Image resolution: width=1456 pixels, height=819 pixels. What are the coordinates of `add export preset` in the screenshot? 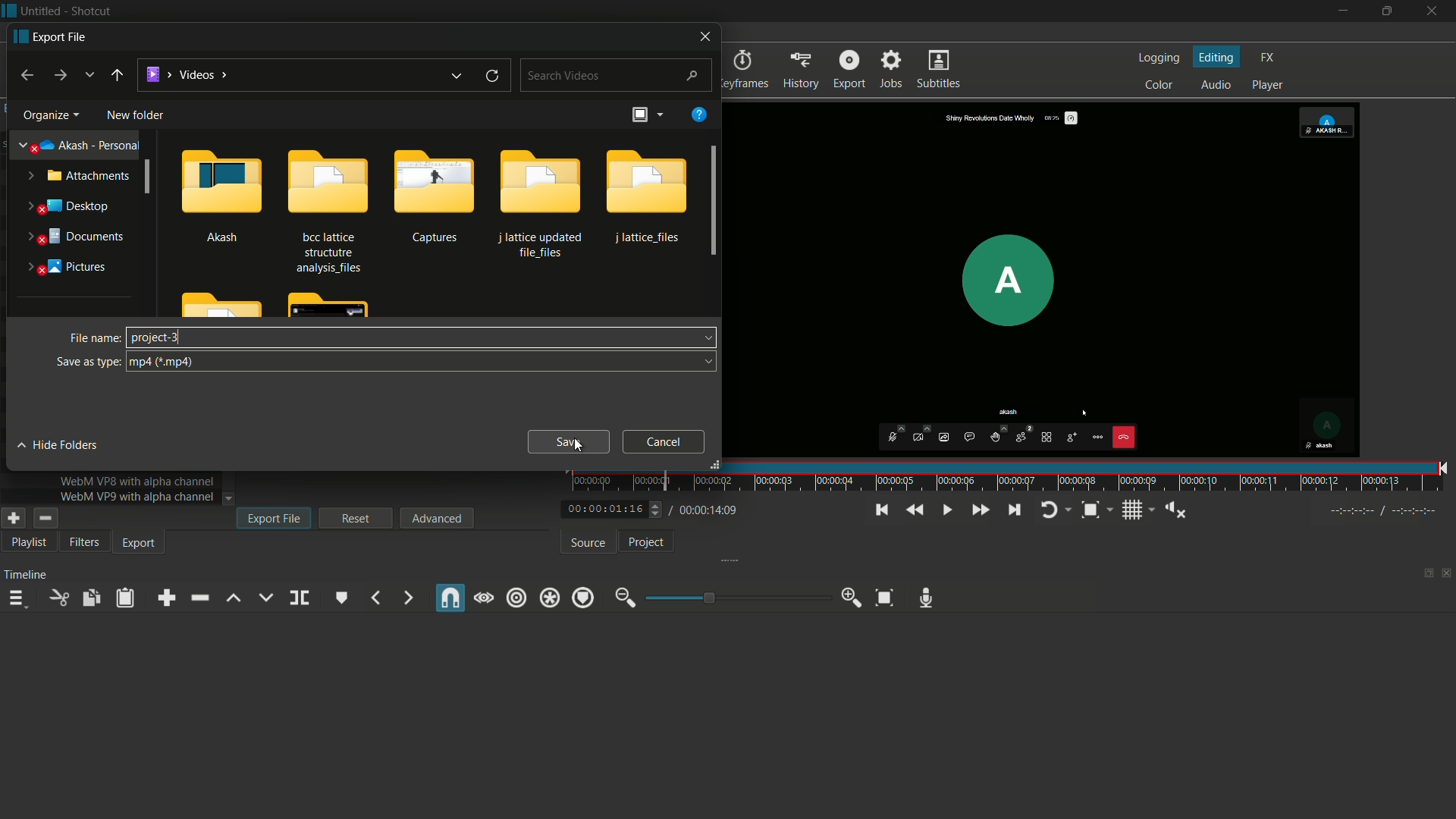 It's located at (14, 519).